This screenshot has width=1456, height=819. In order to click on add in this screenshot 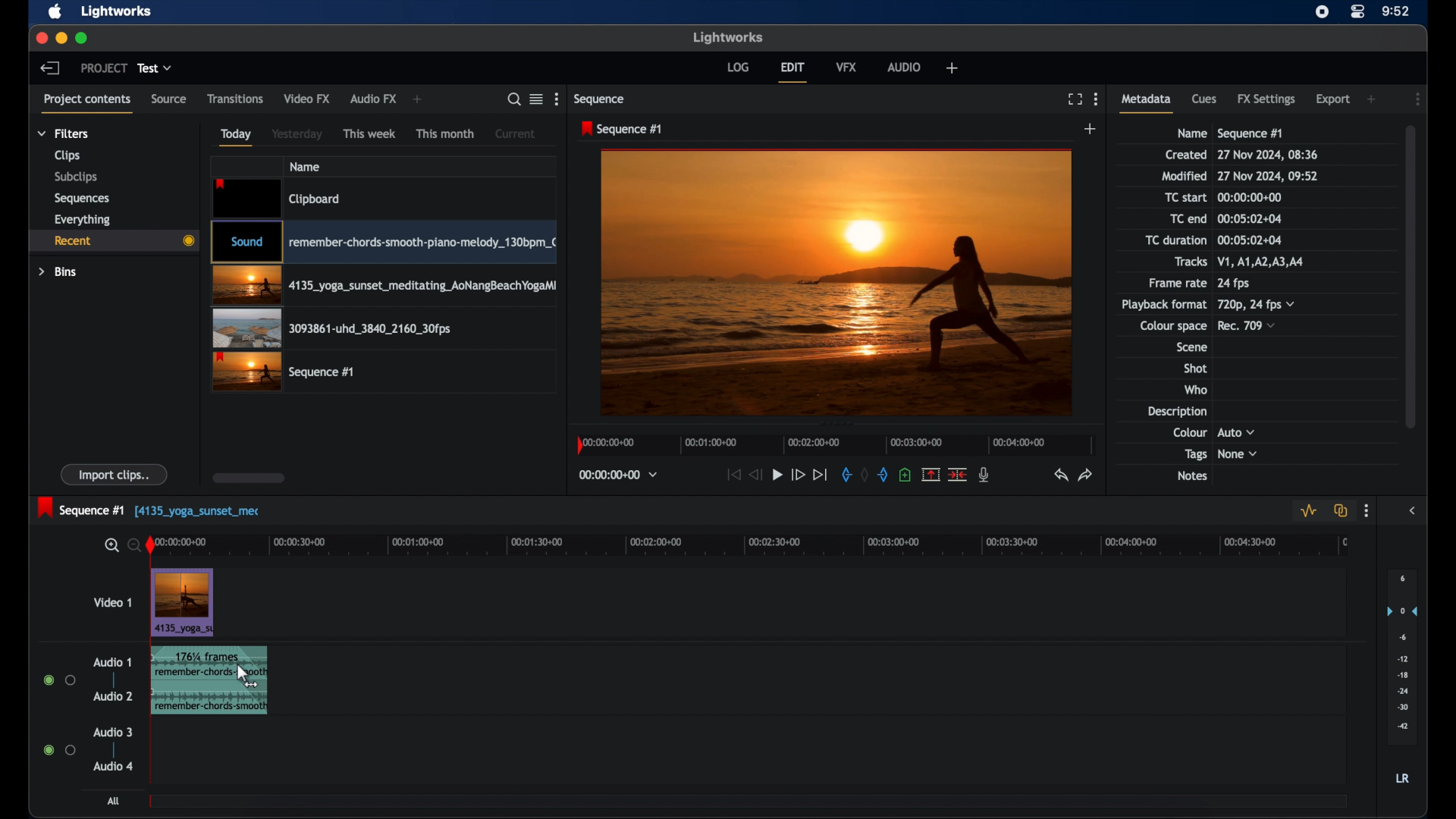, I will do `click(419, 99)`.